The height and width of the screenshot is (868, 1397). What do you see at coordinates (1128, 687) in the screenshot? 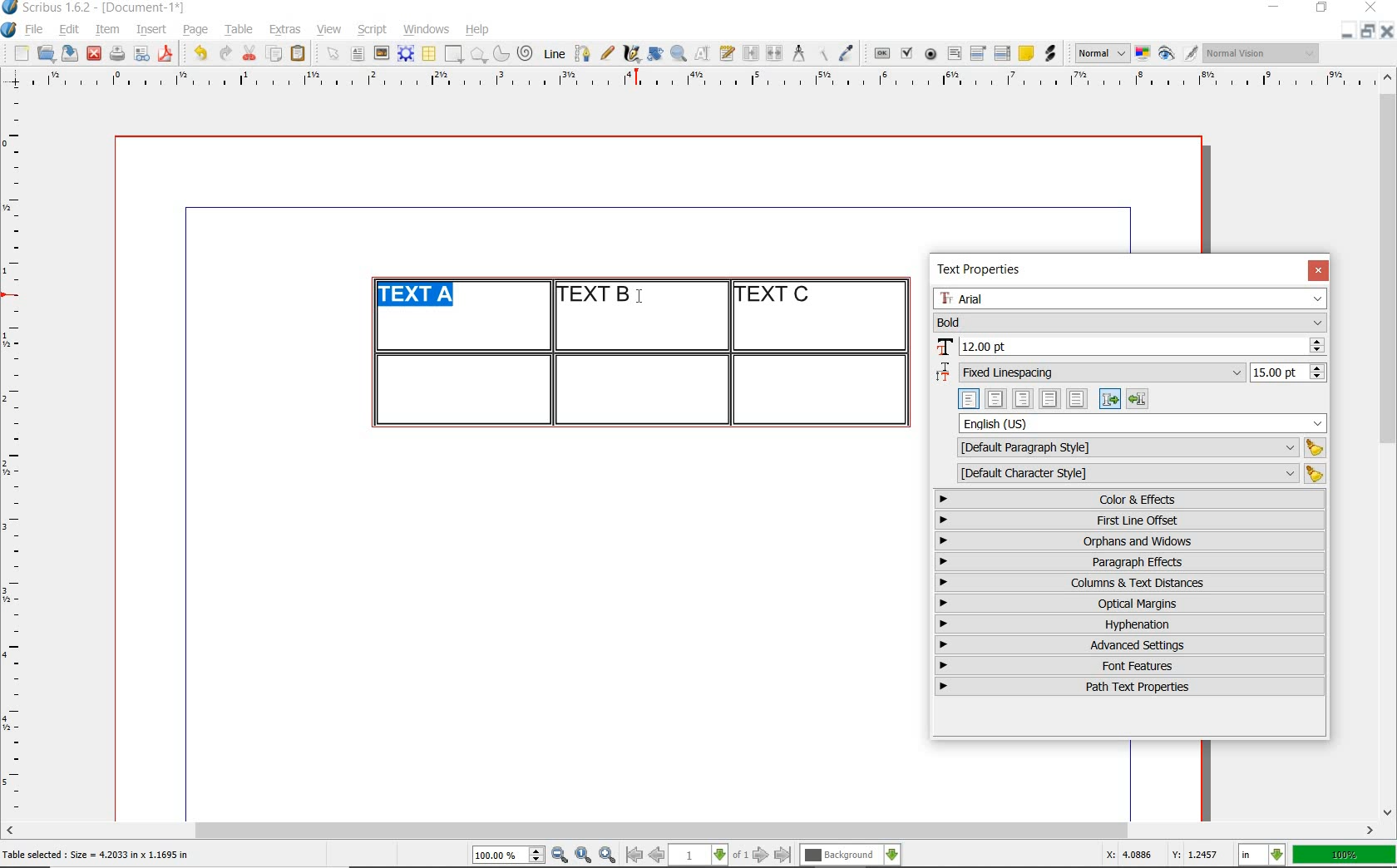
I see `path text properties` at bounding box center [1128, 687].